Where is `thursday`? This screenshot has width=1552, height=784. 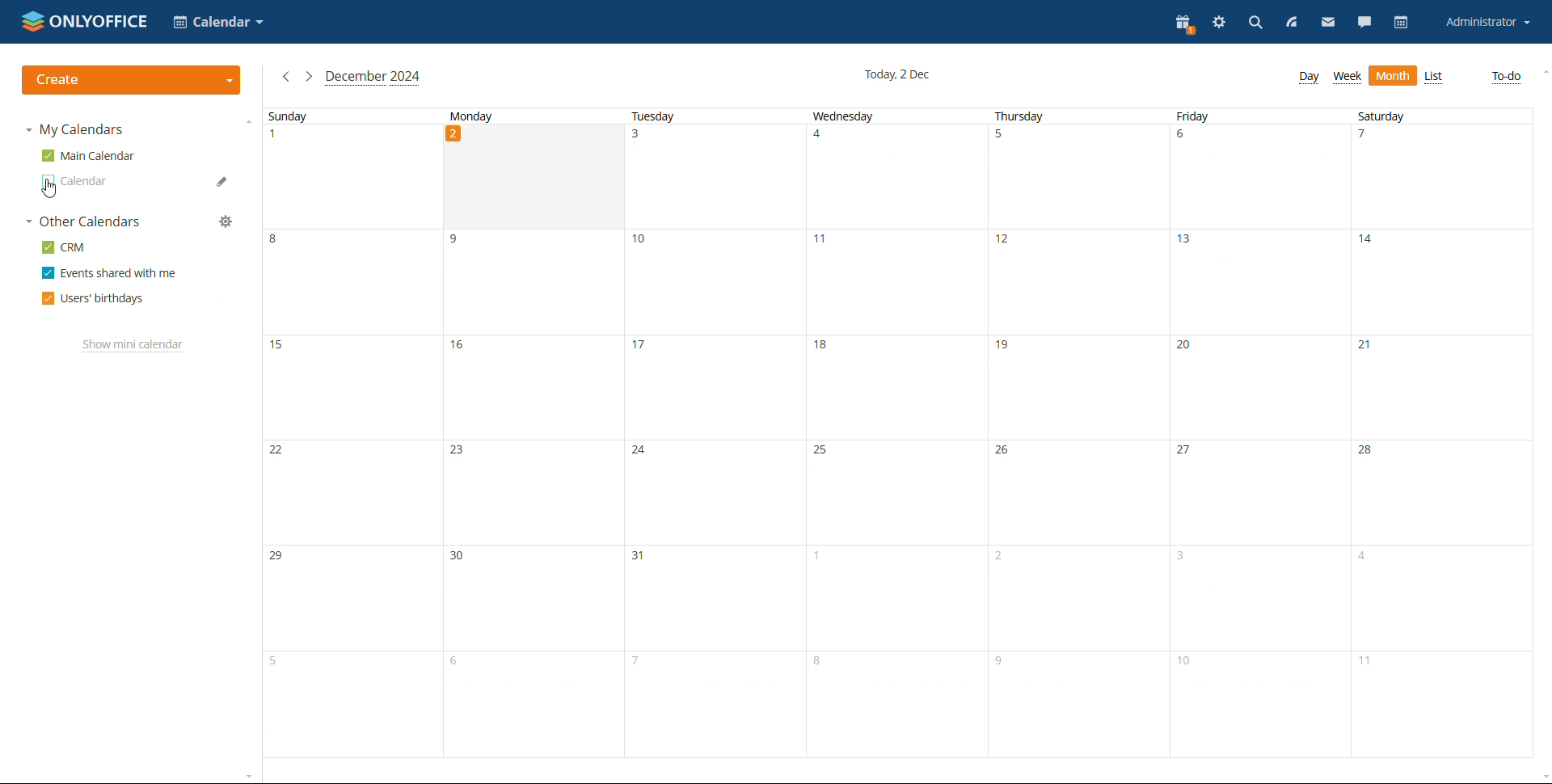
thursday is located at coordinates (1081, 432).